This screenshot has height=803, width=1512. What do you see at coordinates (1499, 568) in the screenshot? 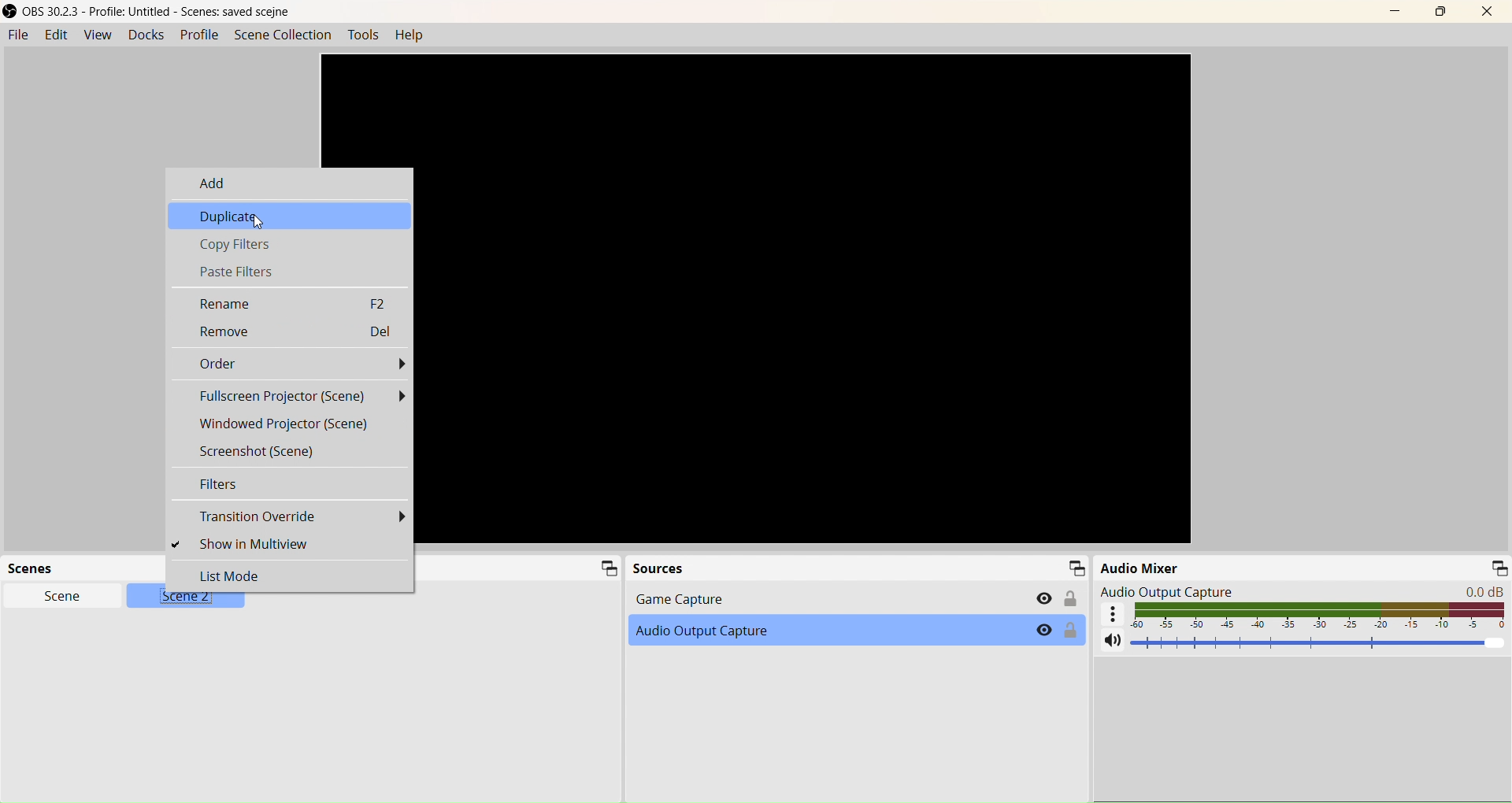
I see `Minimize` at bounding box center [1499, 568].